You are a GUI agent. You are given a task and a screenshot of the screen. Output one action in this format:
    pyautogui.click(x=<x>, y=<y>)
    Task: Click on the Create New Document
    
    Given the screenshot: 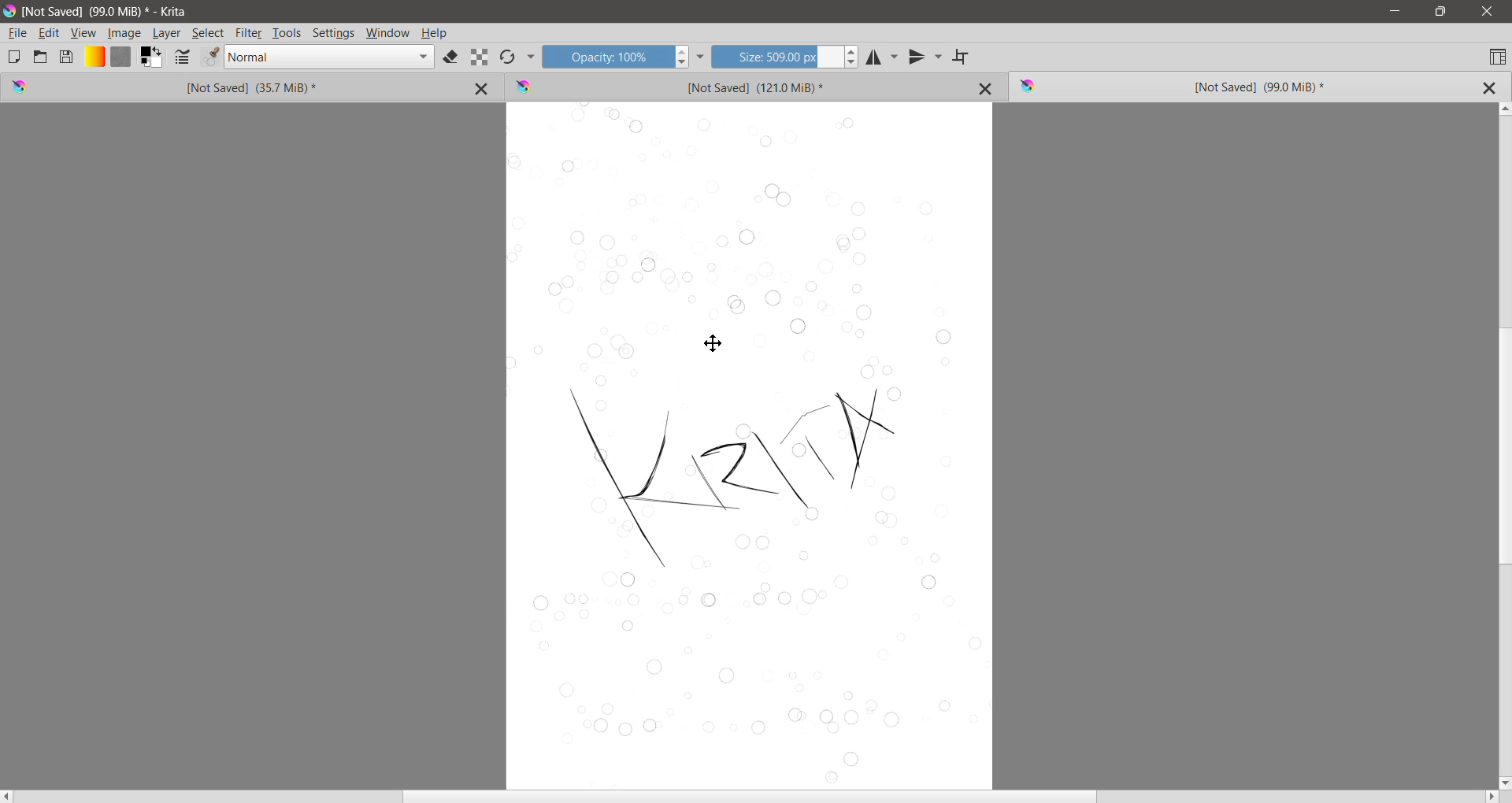 What is the action you would take?
    pyautogui.click(x=13, y=57)
    